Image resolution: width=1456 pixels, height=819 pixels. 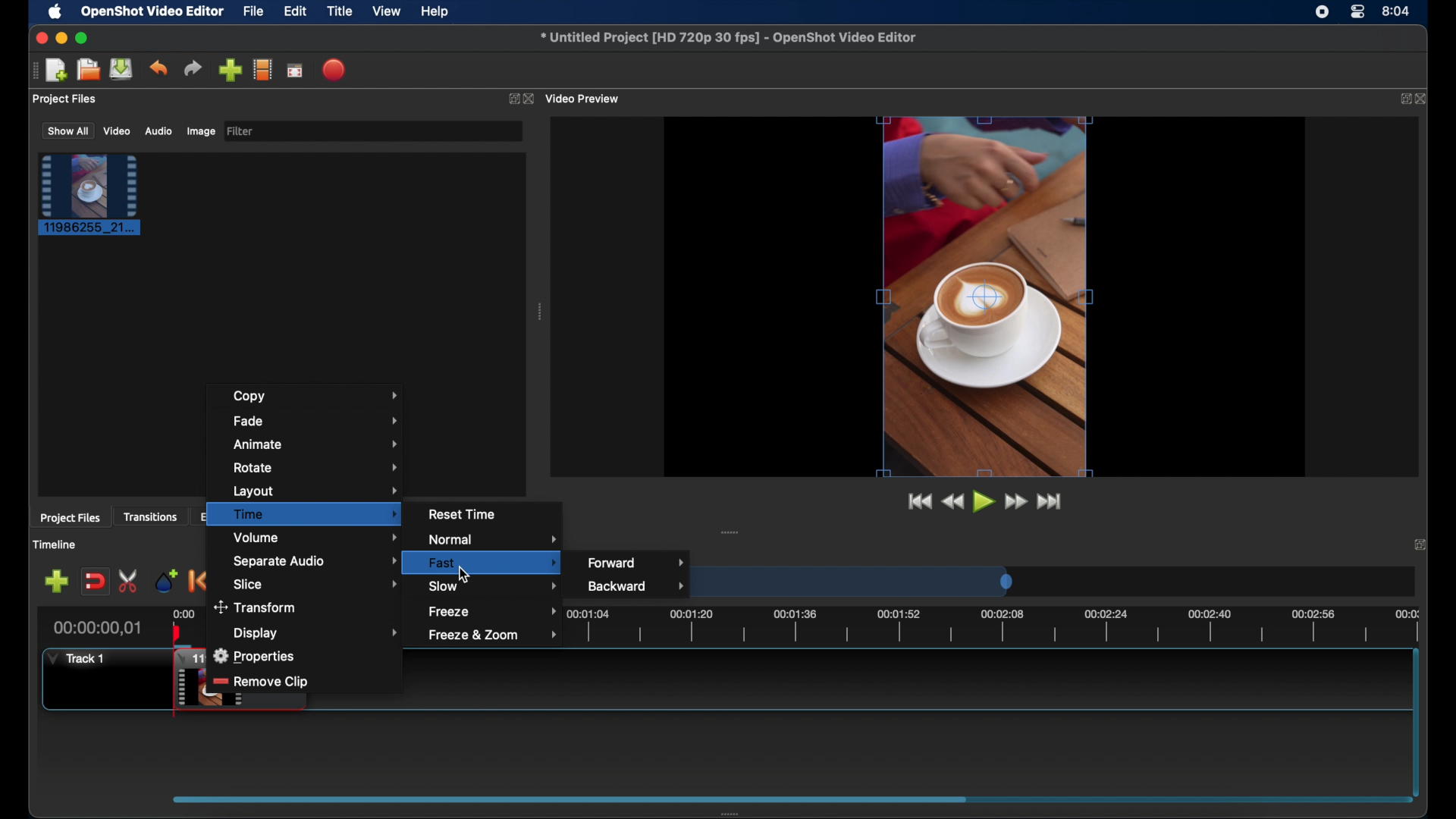 I want to click on time menu highlighted, so click(x=304, y=514).